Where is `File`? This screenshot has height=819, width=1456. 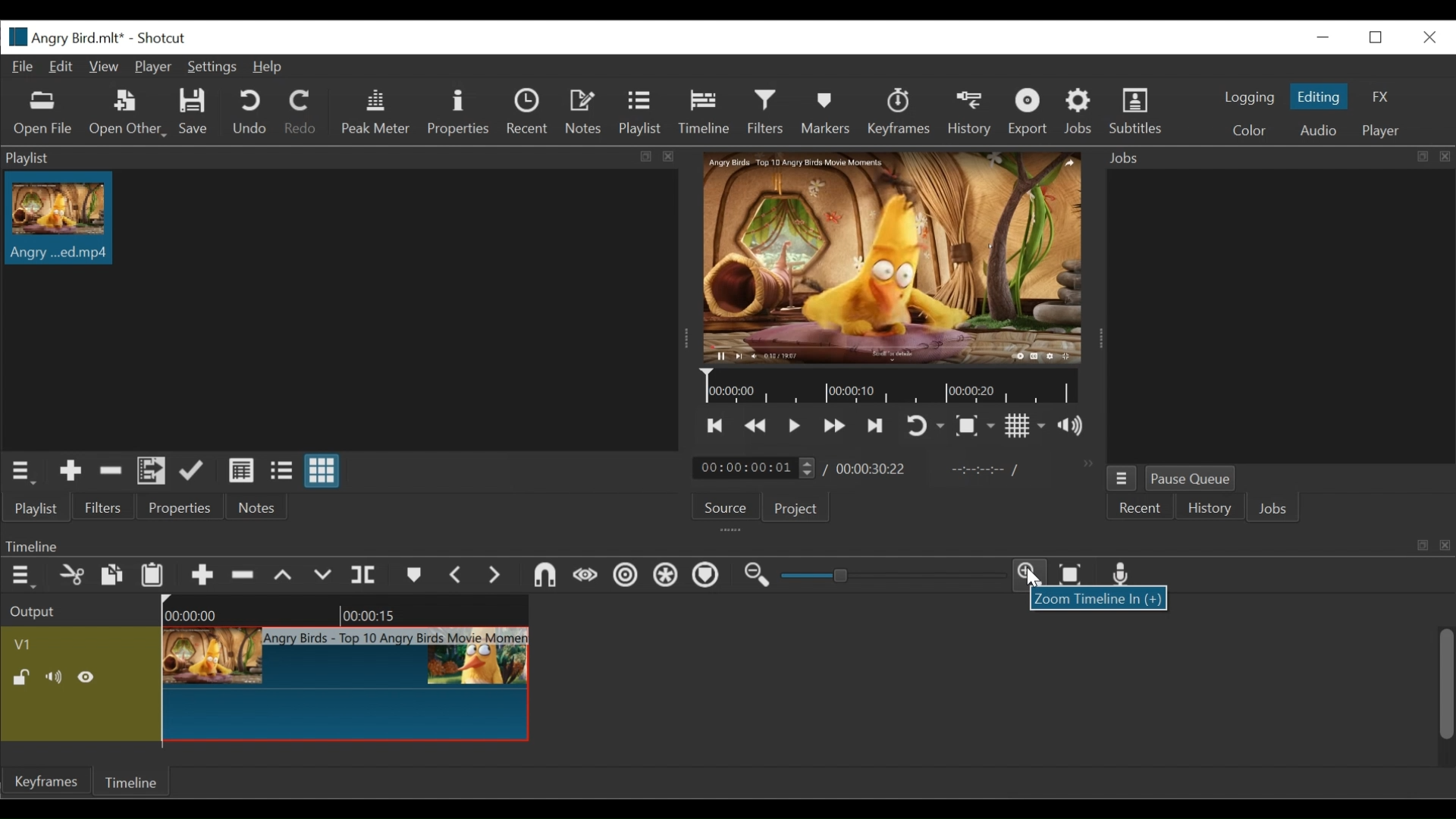
File is located at coordinates (24, 67).